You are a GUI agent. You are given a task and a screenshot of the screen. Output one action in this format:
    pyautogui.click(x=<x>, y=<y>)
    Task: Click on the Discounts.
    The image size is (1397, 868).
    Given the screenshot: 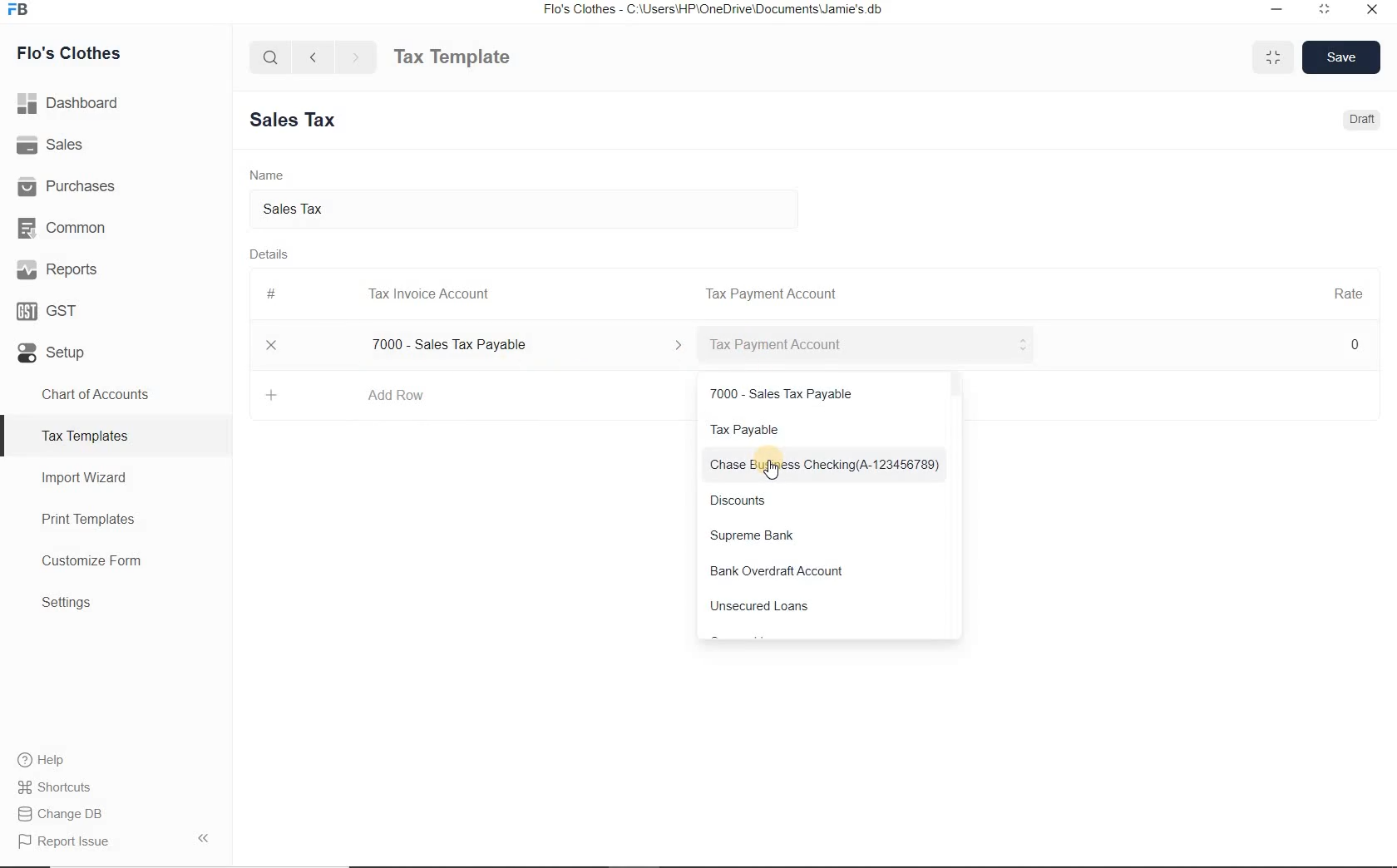 What is the action you would take?
    pyautogui.click(x=827, y=500)
    